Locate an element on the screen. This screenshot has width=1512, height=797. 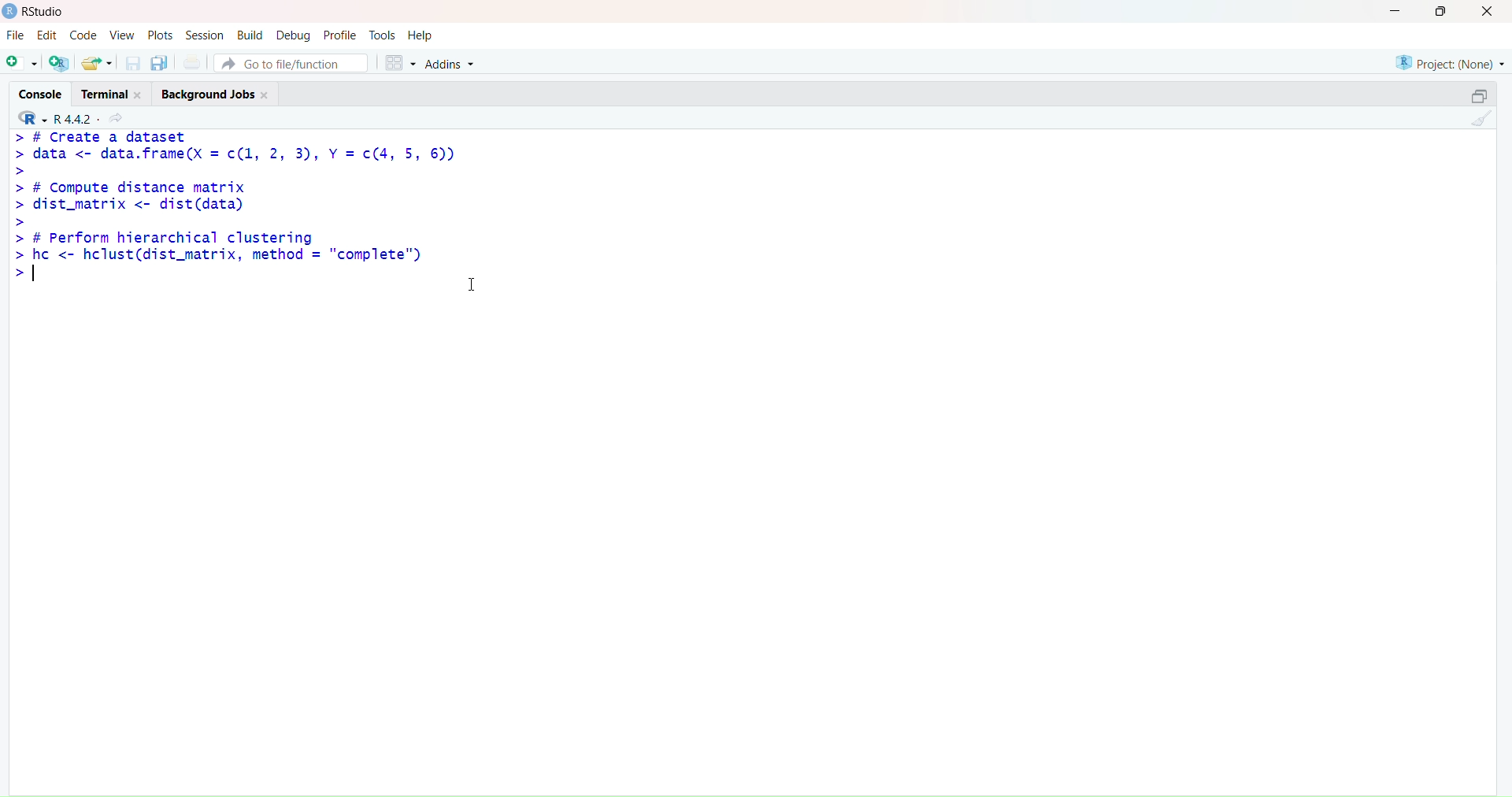
Save current document (Ctrl + S) is located at coordinates (131, 61).